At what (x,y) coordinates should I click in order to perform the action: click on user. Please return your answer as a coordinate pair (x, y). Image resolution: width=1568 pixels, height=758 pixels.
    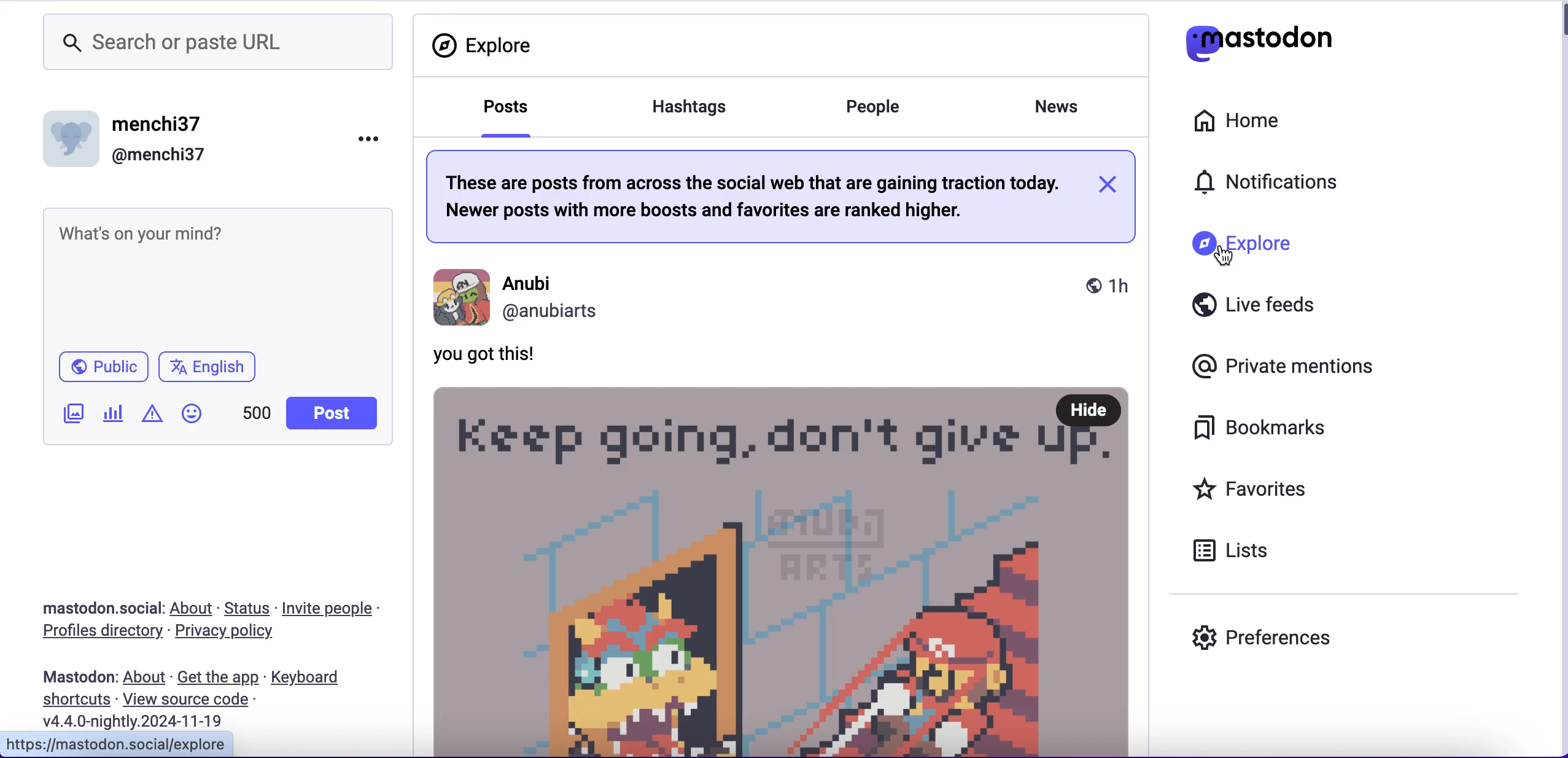
    Looking at the image, I should click on (187, 146).